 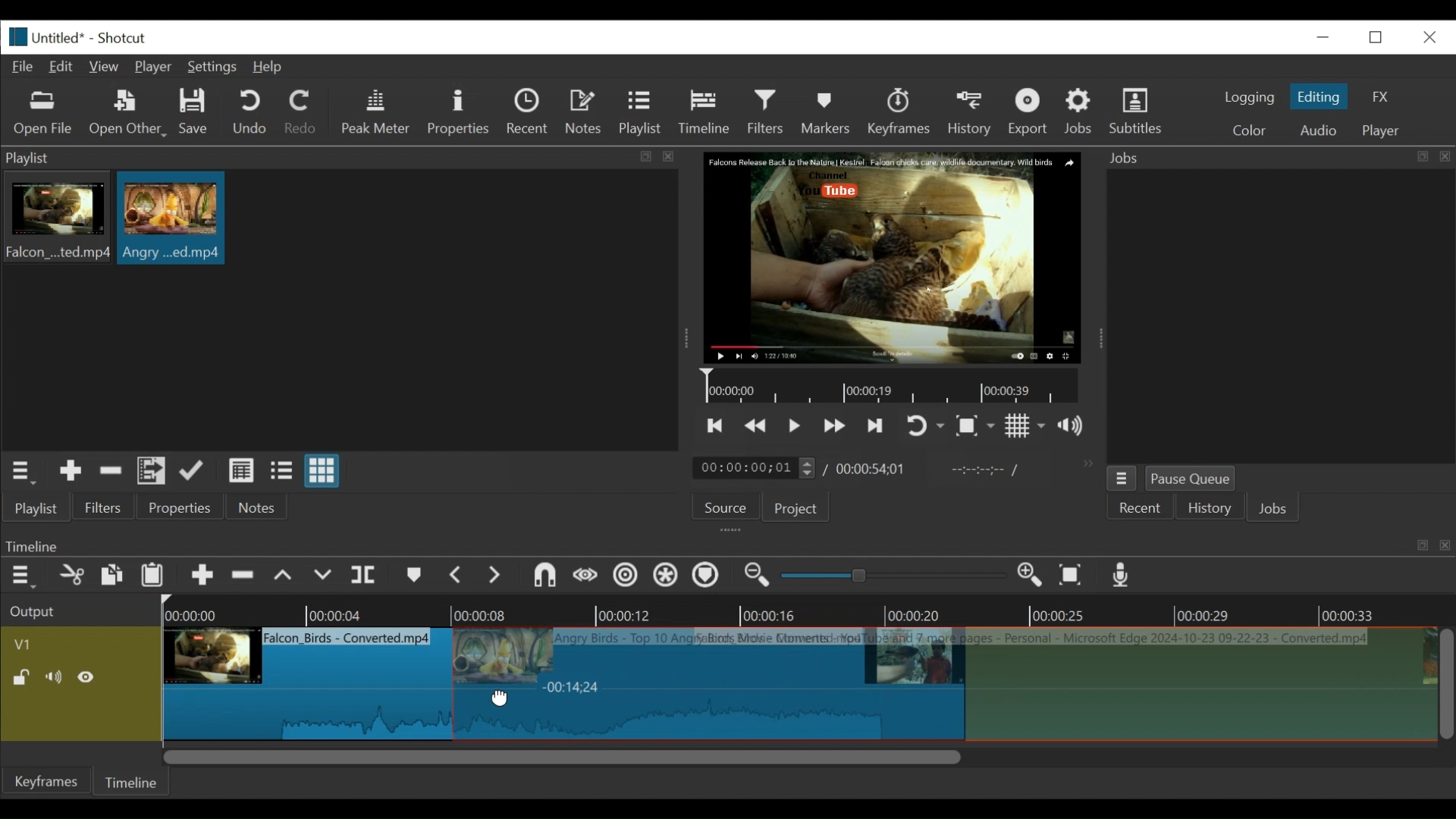 What do you see at coordinates (325, 576) in the screenshot?
I see `overwrite` at bounding box center [325, 576].